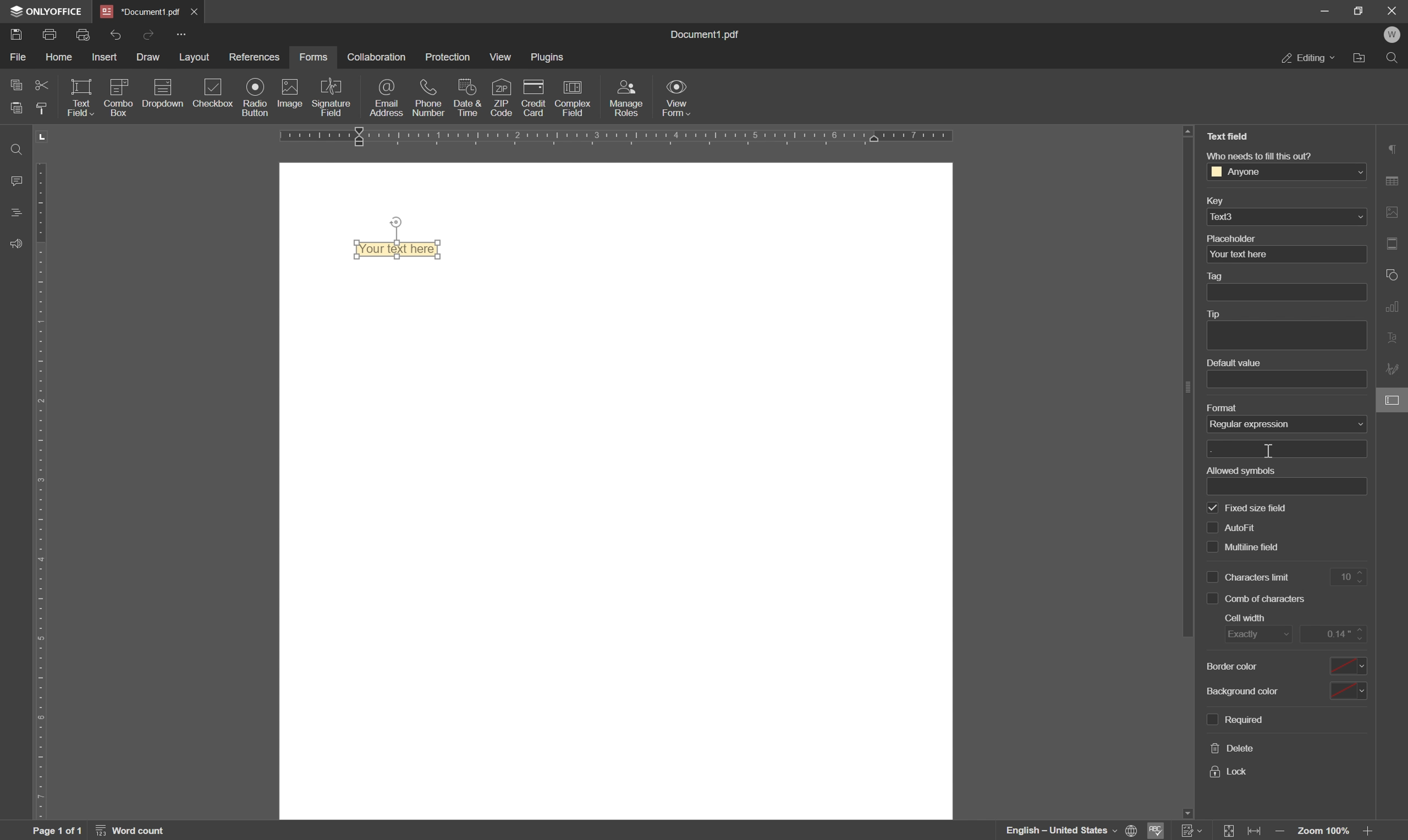 The image size is (1408, 840). I want to click on manage roles, so click(628, 97).